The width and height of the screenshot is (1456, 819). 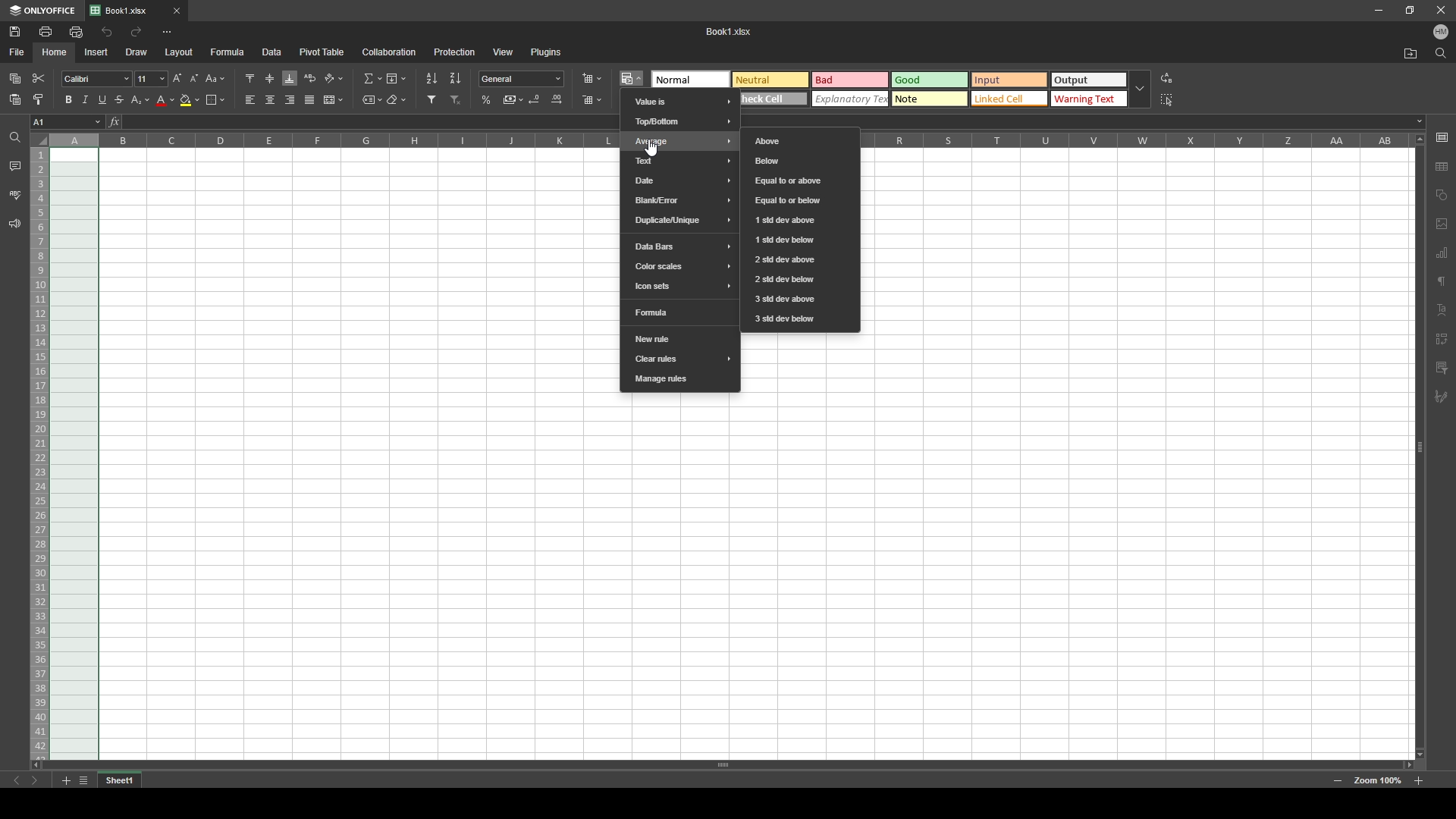 What do you see at coordinates (1379, 11) in the screenshot?
I see `minimize` at bounding box center [1379, 11].